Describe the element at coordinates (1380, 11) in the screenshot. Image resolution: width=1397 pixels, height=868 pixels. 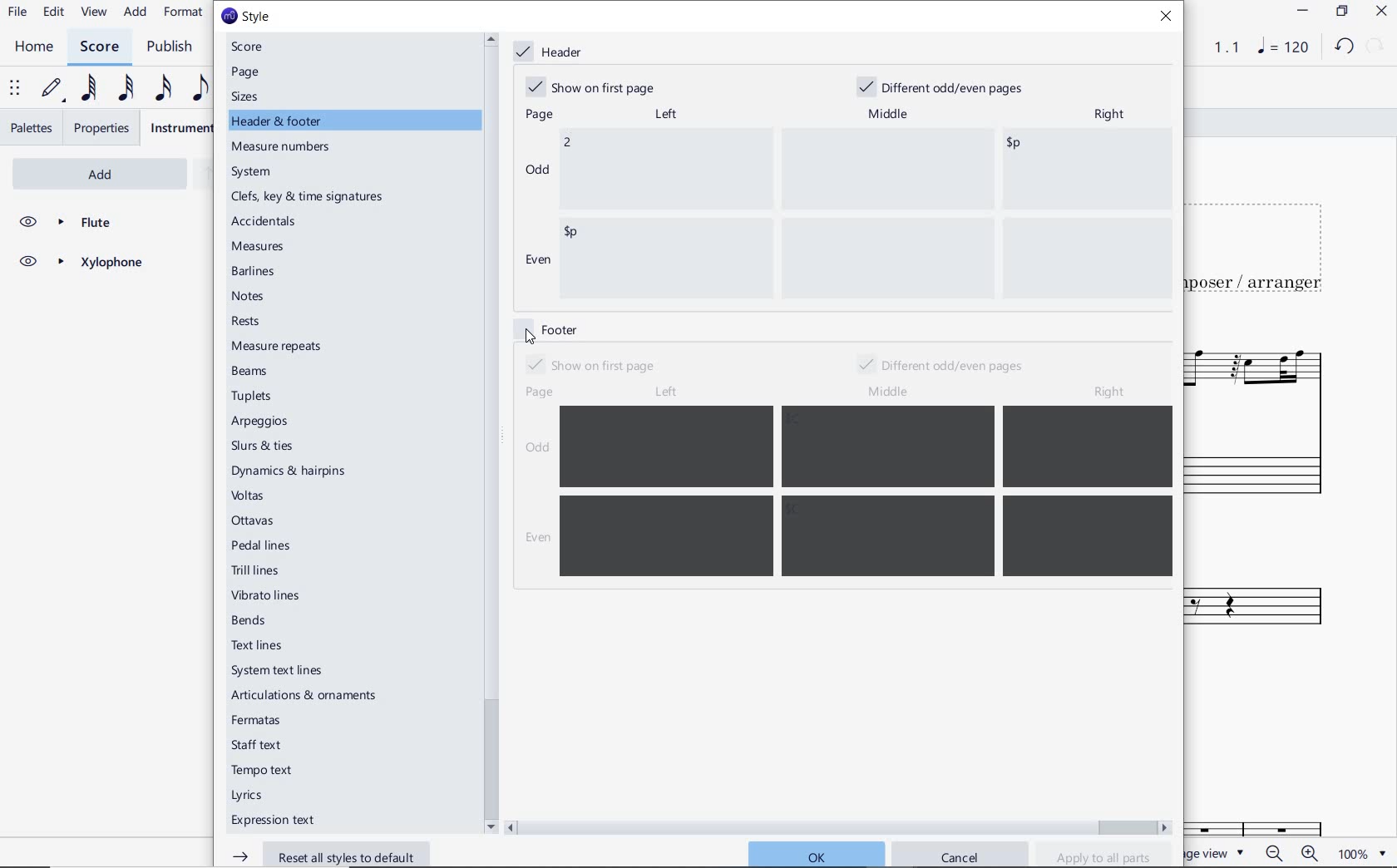
I see `CLOSE` at that location.